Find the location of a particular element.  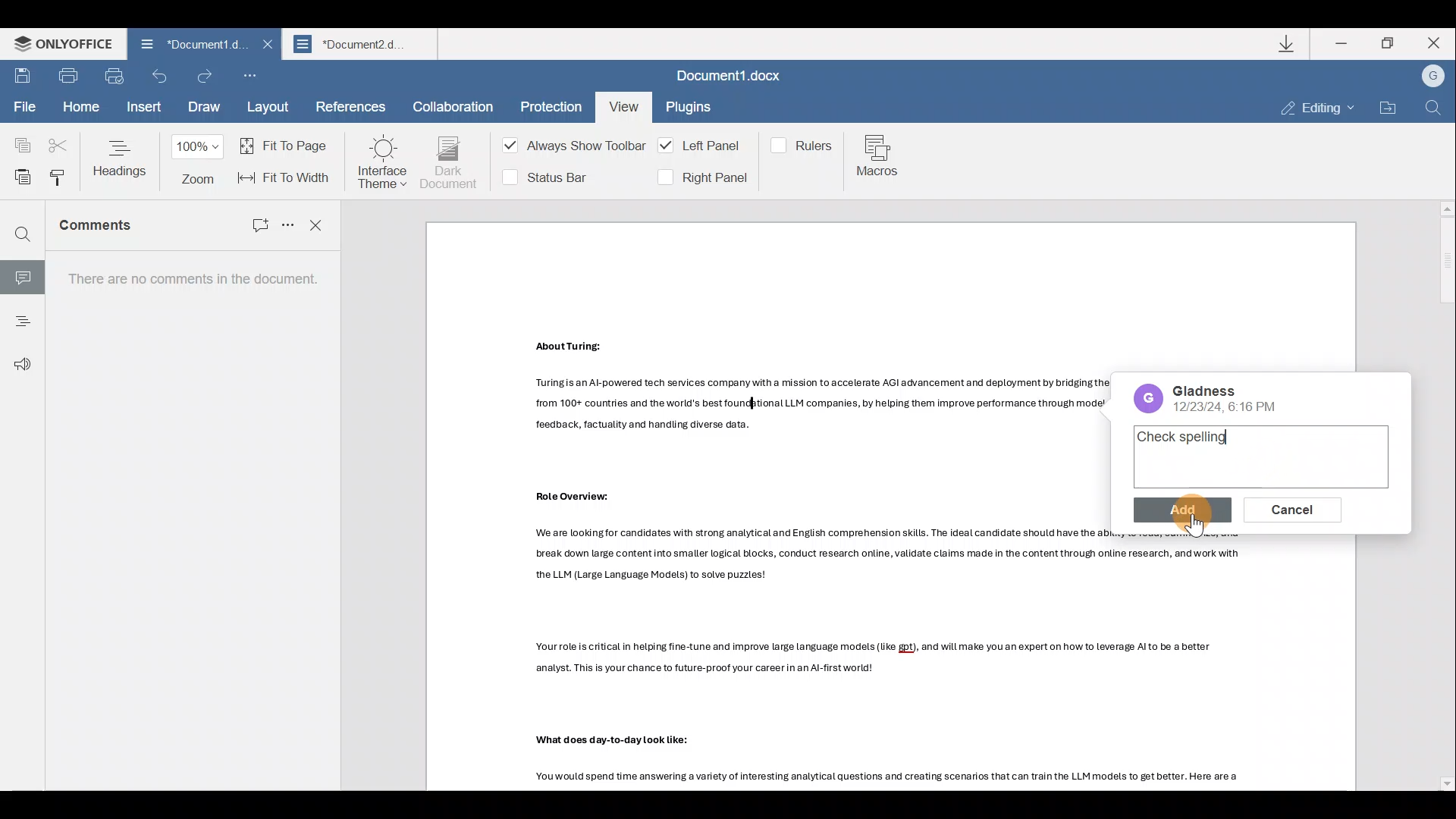

There are no comments in the document is located at coordinates (187, 521).